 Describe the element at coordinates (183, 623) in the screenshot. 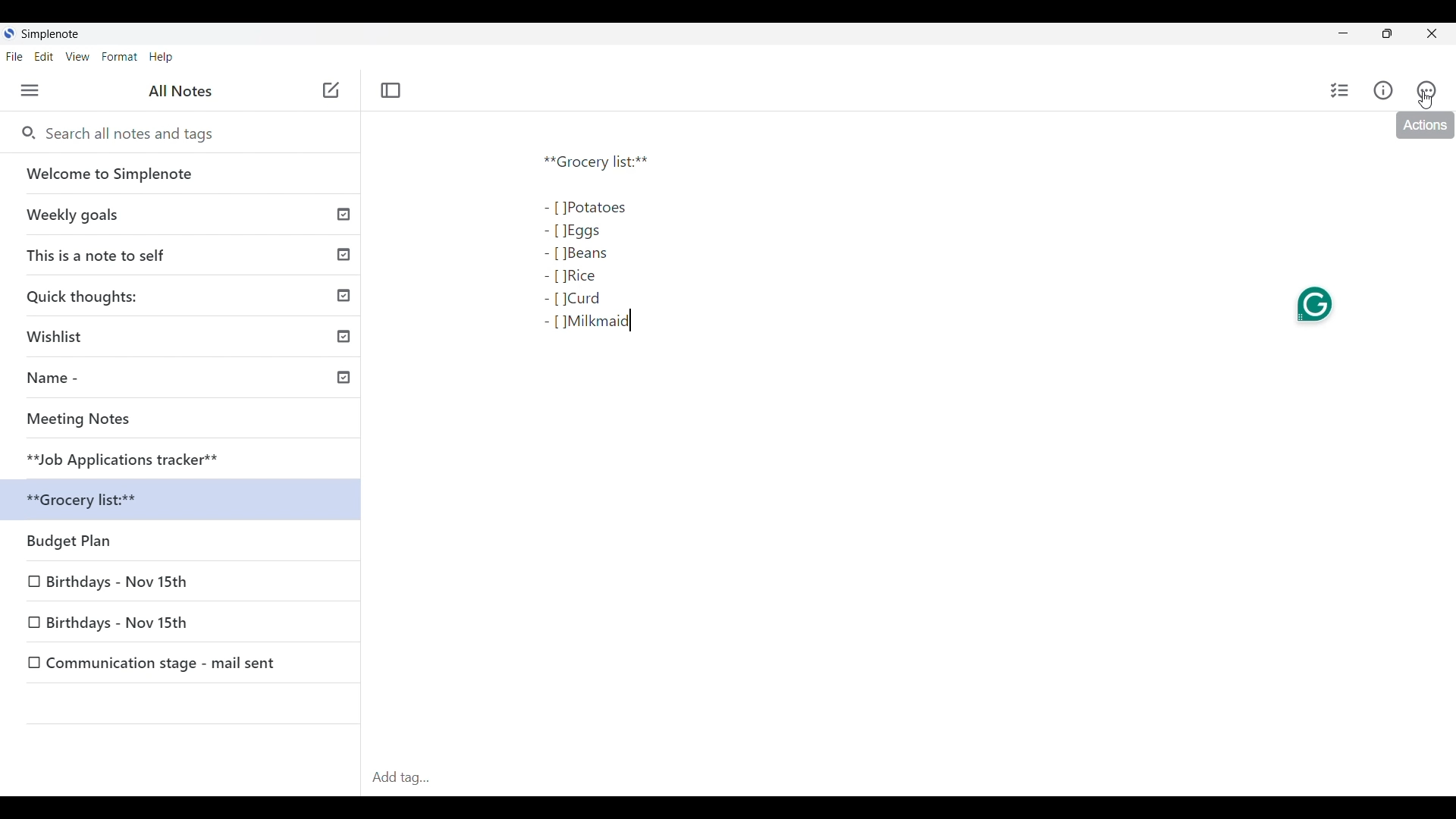

I see `Birthdays - Nov 15th` at that location.